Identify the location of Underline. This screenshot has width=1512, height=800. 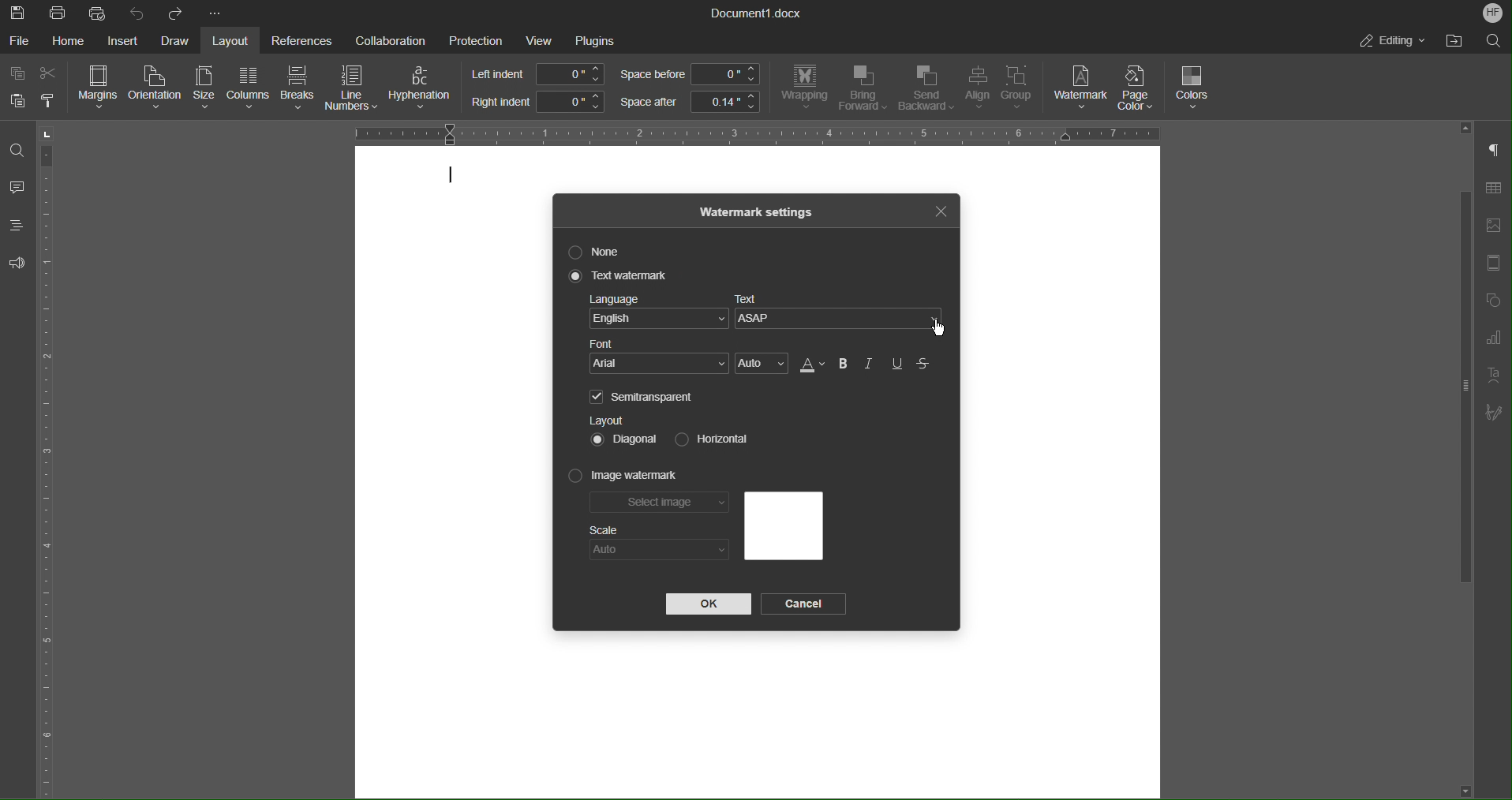
(898, 364).